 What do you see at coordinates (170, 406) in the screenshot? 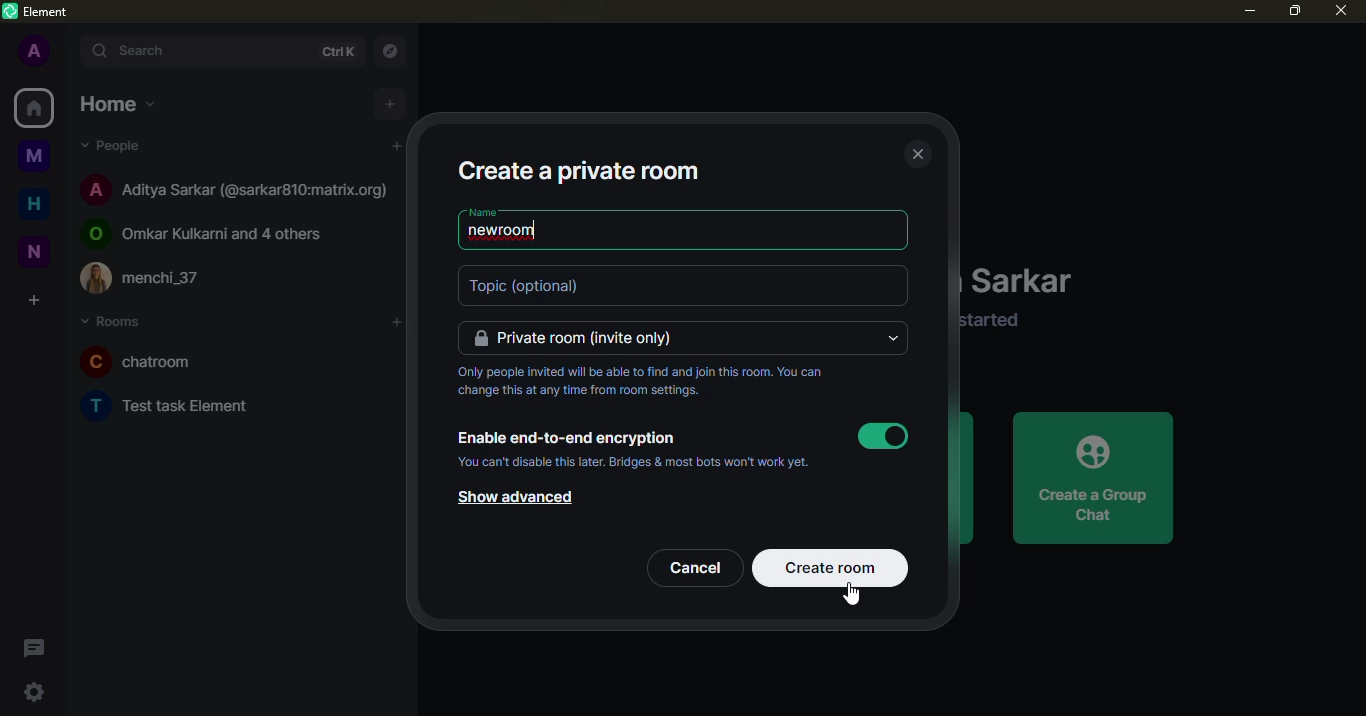
I see `Test task Element.` at bounding box center [170, 406].